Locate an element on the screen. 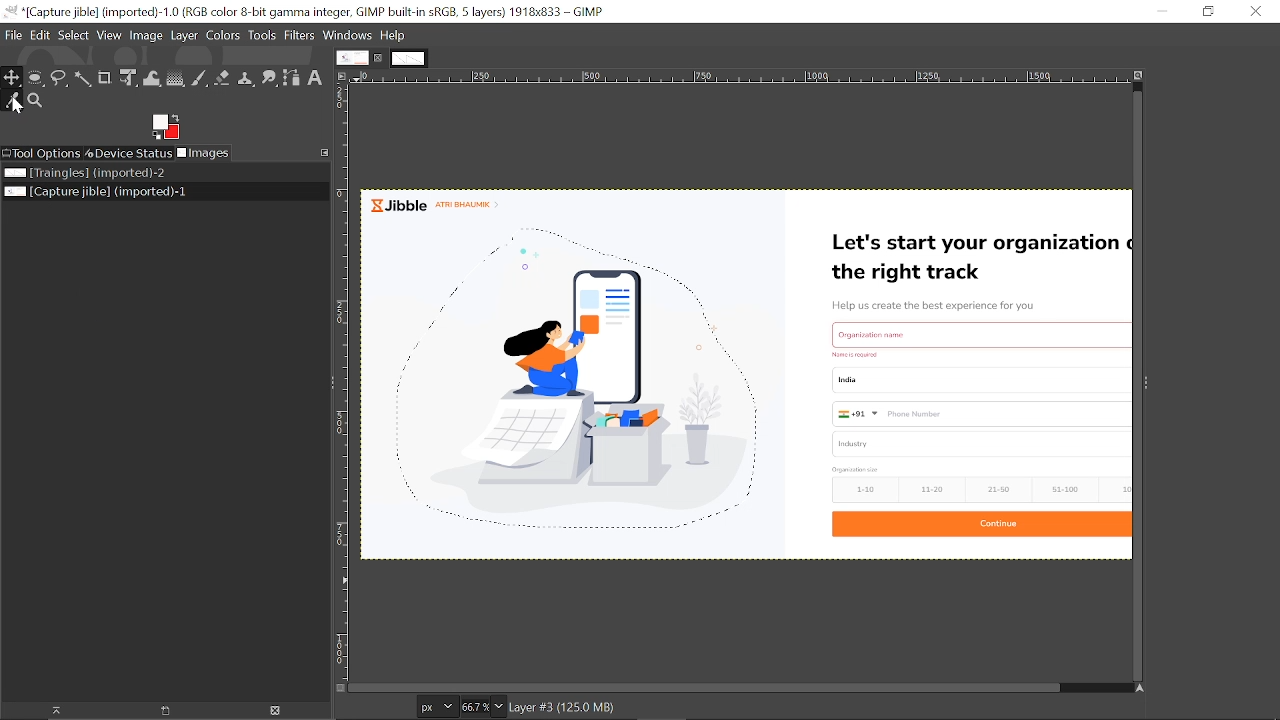 The height and width of the screenshot is (720, 1280). Gradient tool is located at coordinates (176, 78).